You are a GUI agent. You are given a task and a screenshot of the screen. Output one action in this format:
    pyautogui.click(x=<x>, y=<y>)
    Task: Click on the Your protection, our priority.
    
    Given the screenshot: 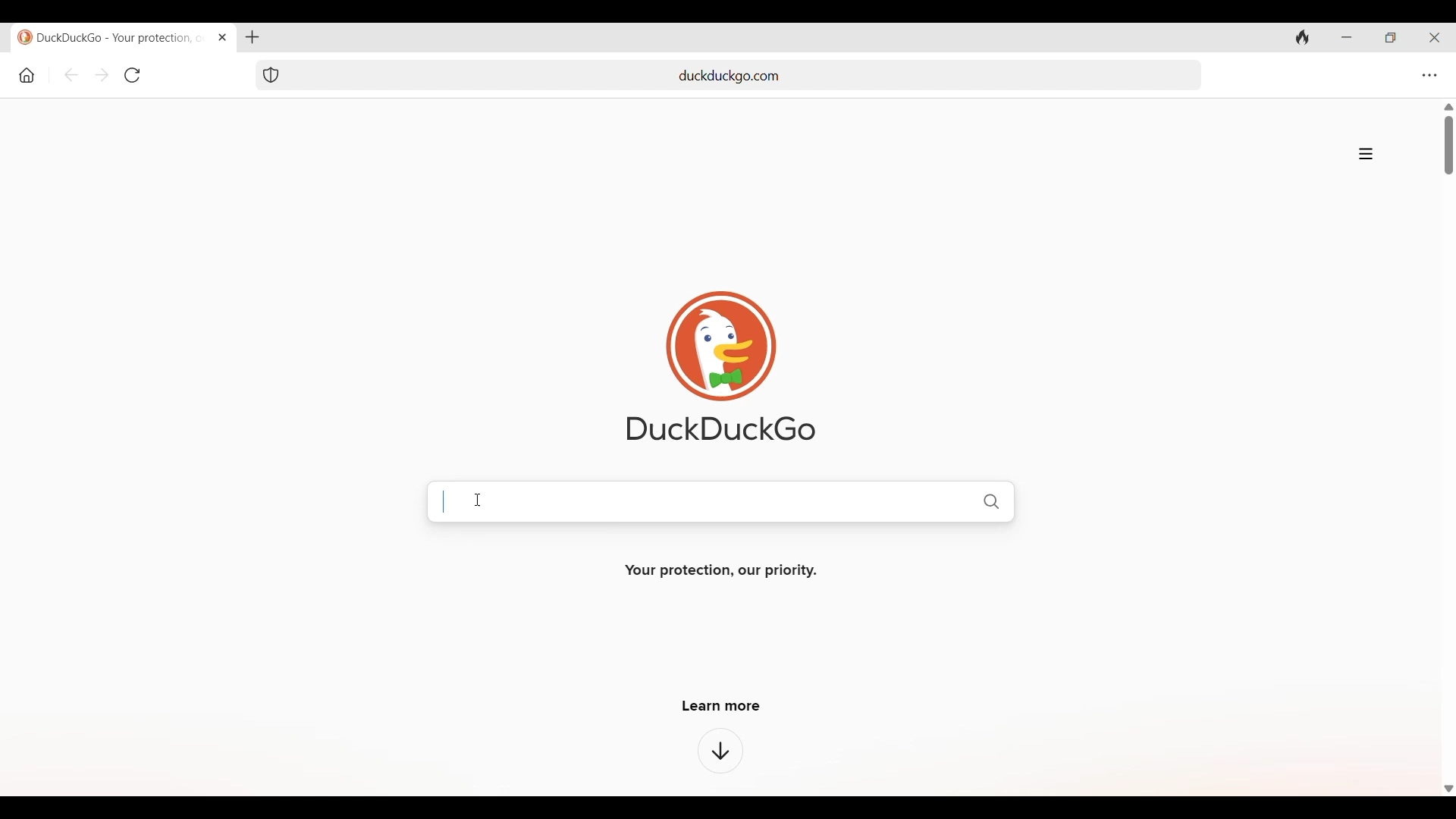 What is the action you would take?
    pyautogui.click(x=719, y=571)
    